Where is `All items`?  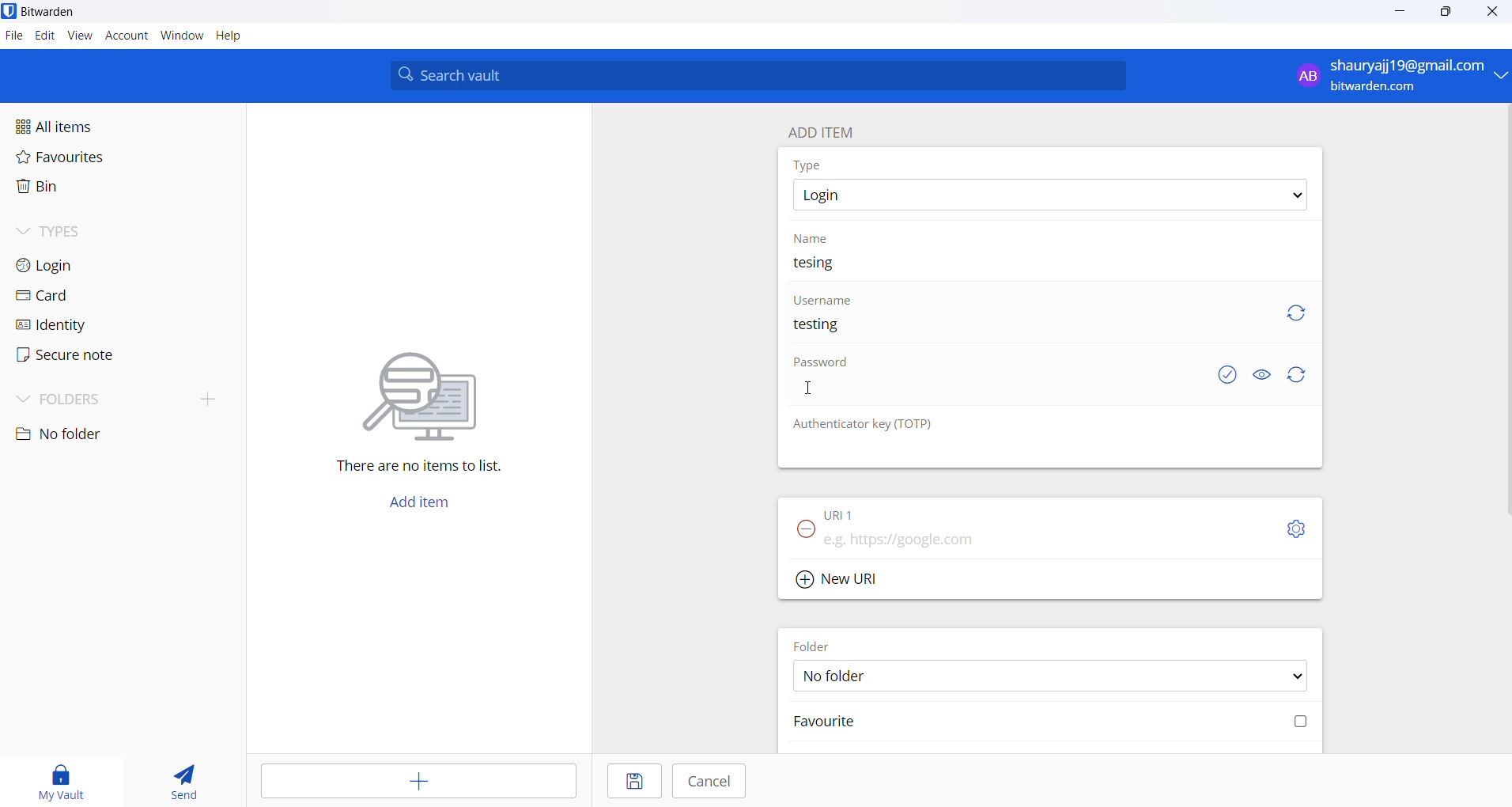
All items is located at coordinates (90, 125).